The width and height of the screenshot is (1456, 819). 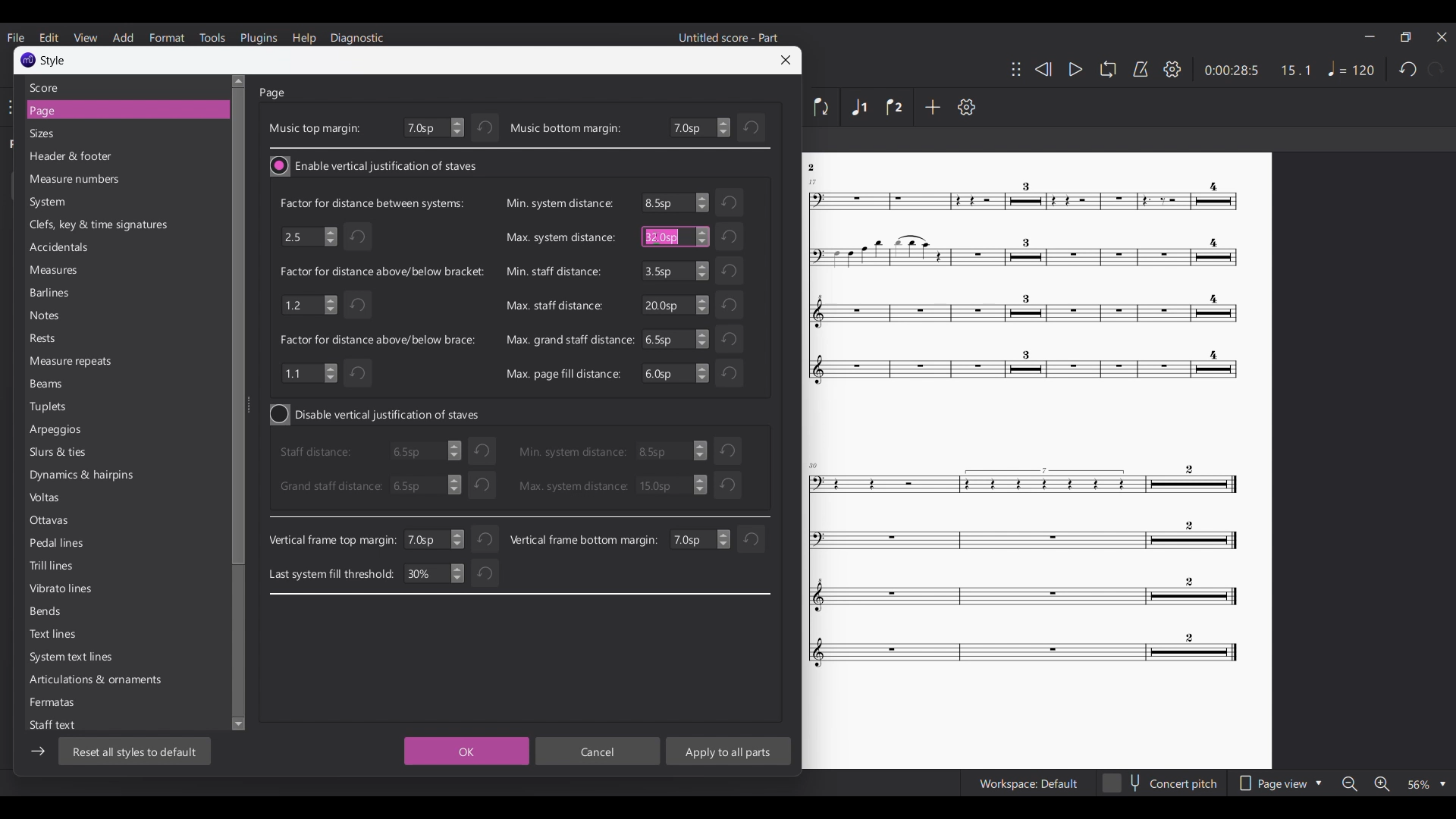 What do you see at coordinates (699, 539) in the screenshot?
I see `change value` at bounding box center [699, 539].